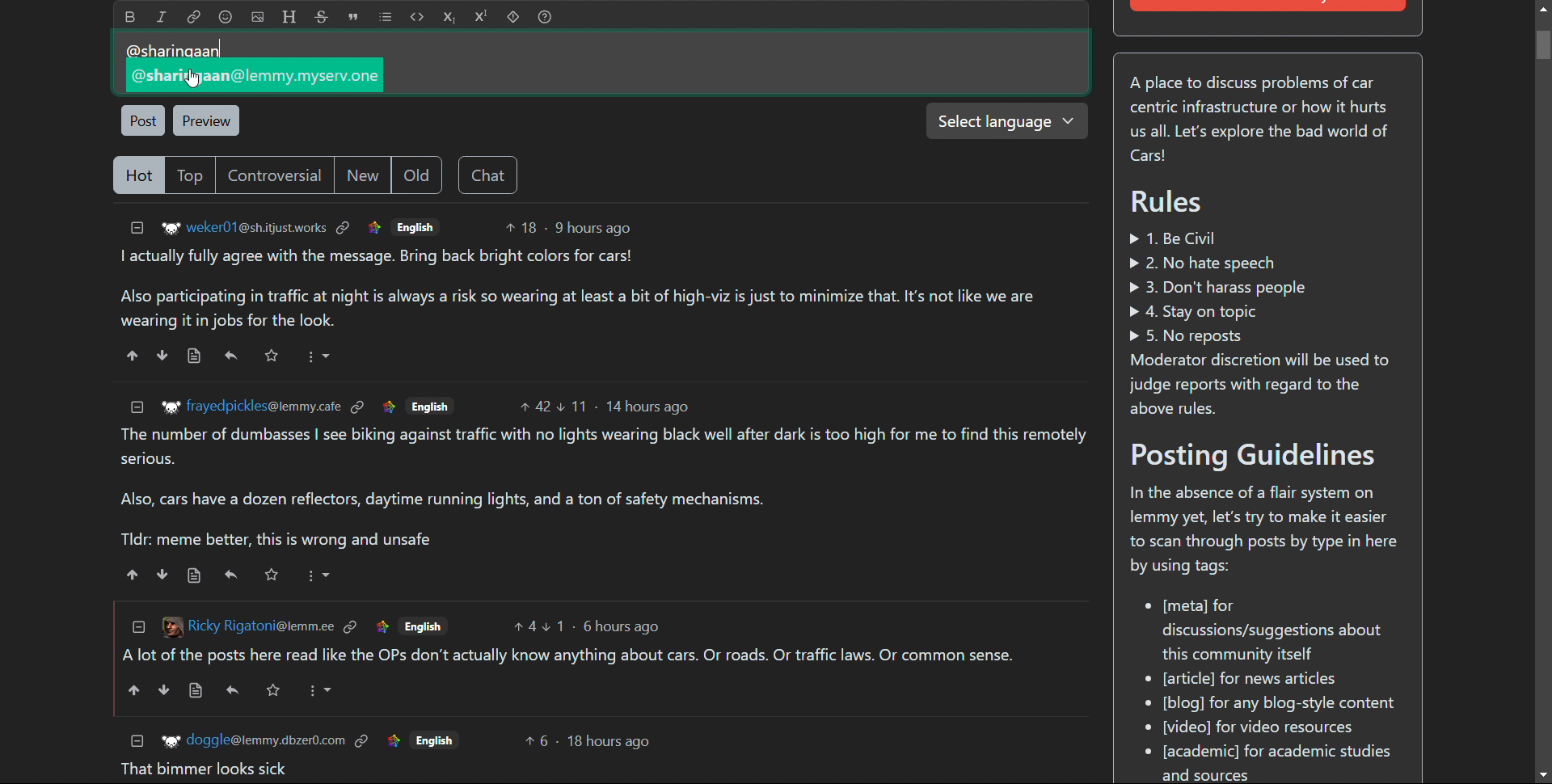 The image size is (1552, 784). What do you see at coordinates (487, 175) in the screenshot?
I see `chat` at bounding box center [487, 175].